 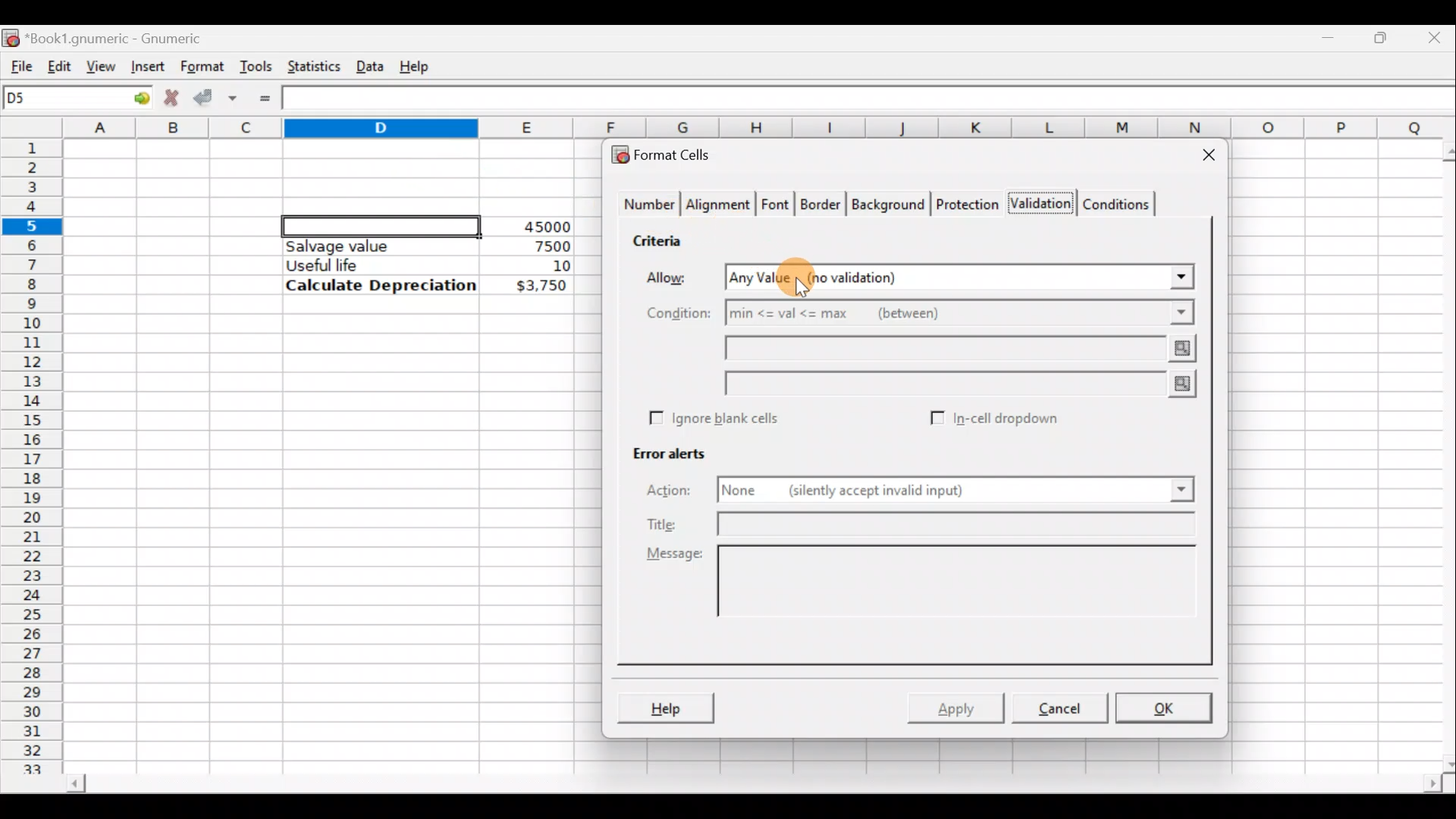 What do you see at coordinates (417, 65) in the screenshot?
I see `Help` at bounding box center [417, 65].